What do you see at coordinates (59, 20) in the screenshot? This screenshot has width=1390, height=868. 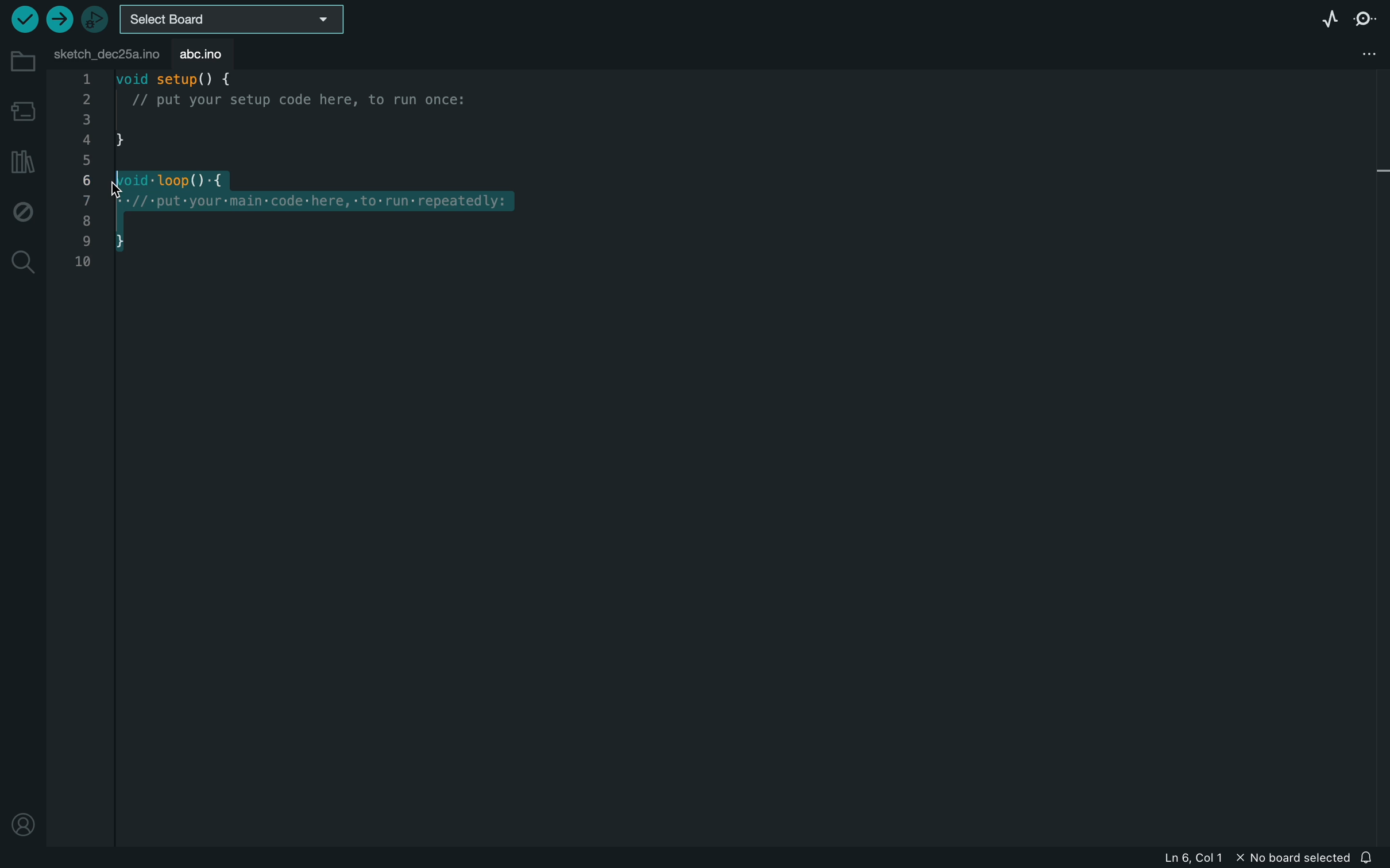 I see `upload ` at bounding box center [59, 20].